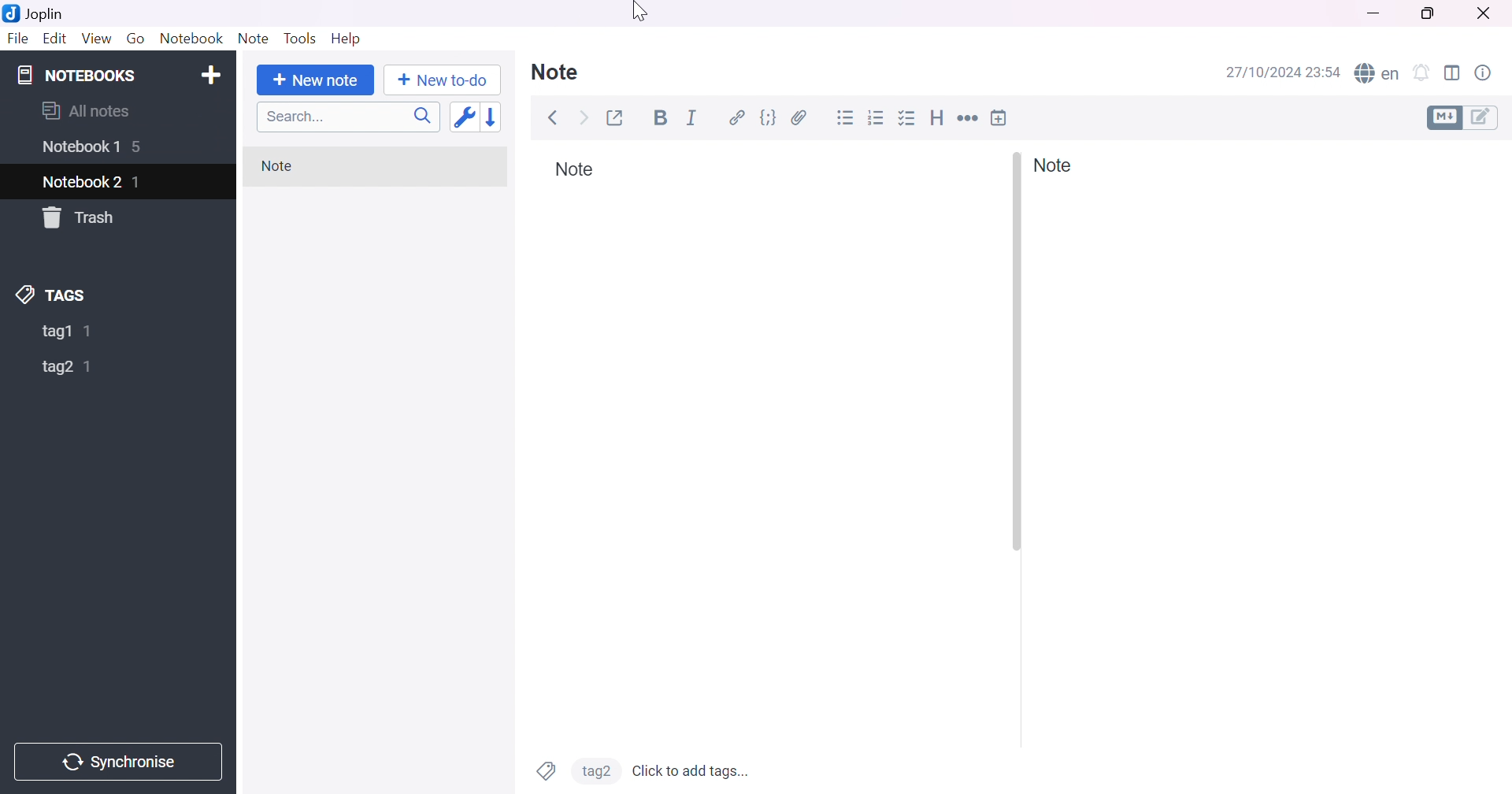  What do you see at coordinates (1015, 351) in the screenshot?
I see `` at bounding box center [1015, 351].